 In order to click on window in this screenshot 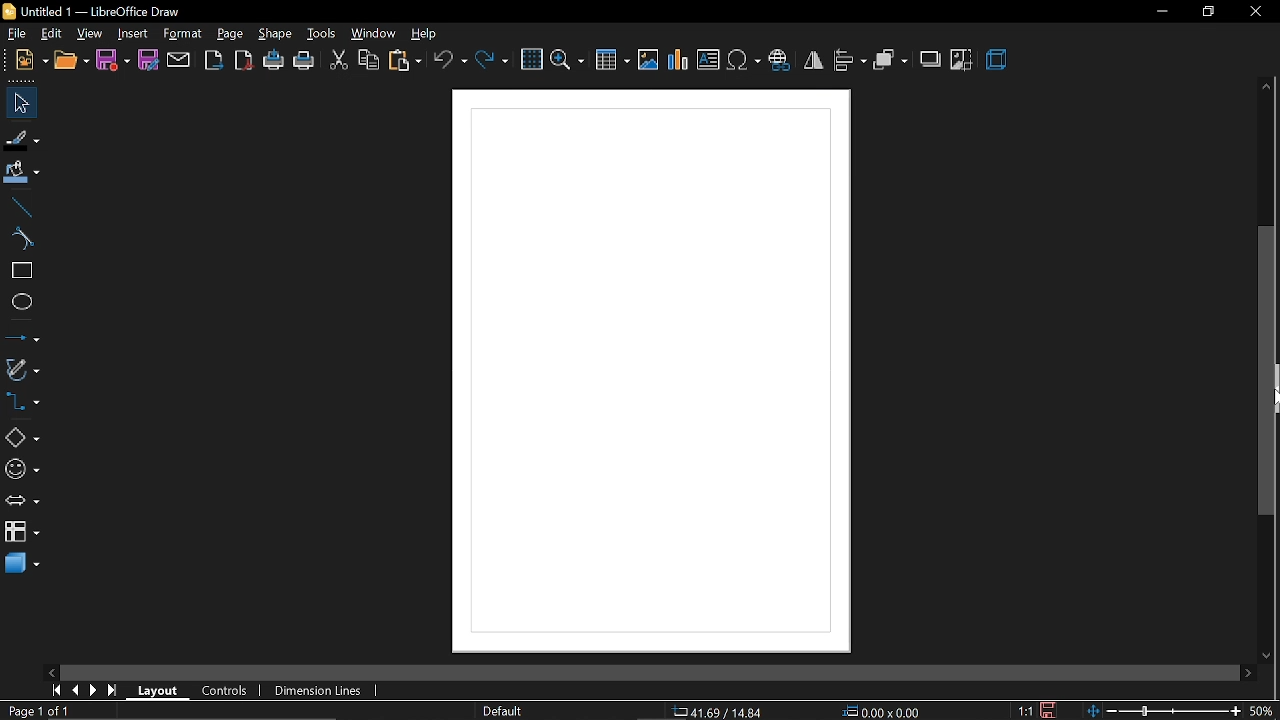, I will do `click(374, 34)`.